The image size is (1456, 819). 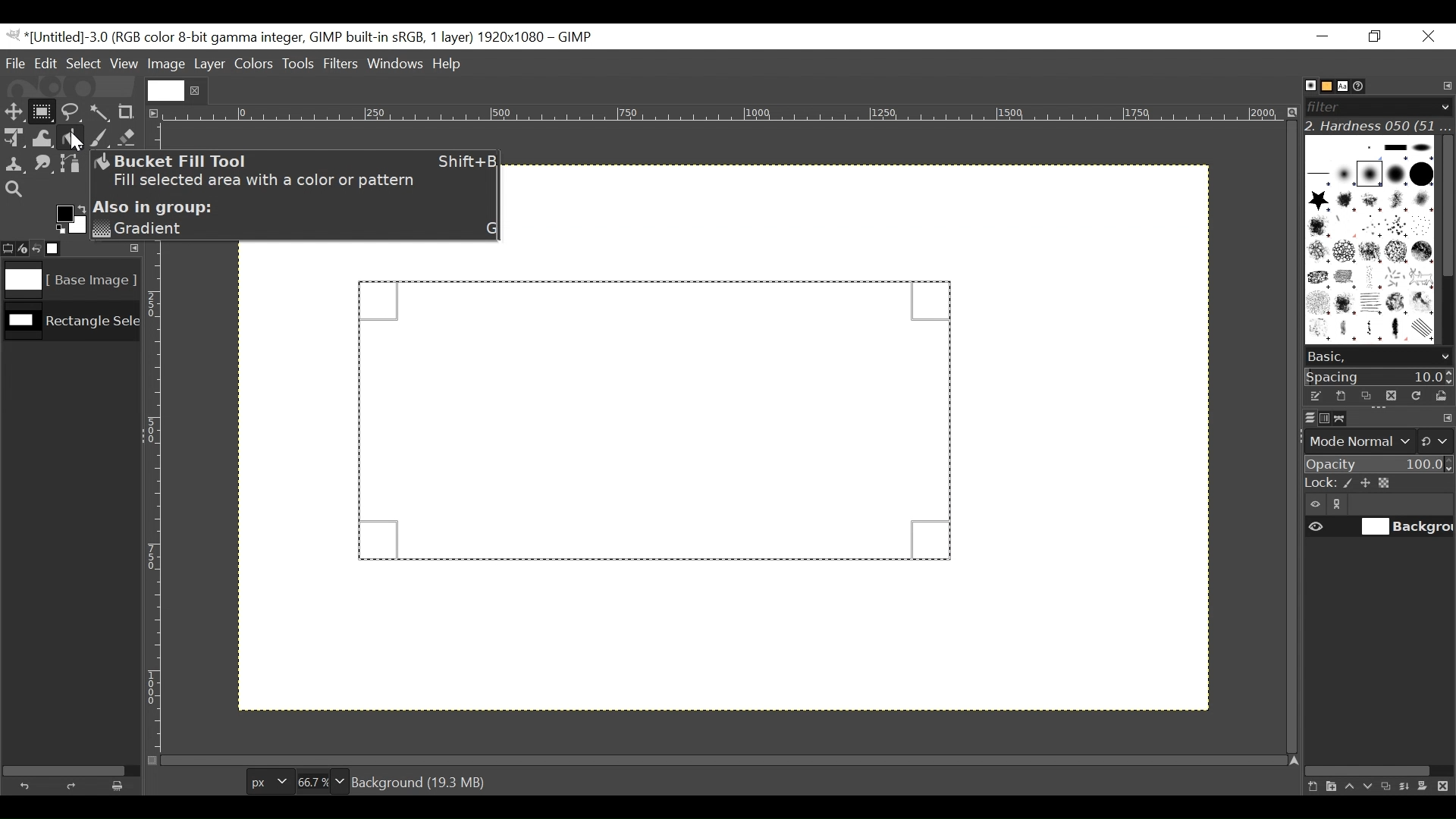 I want to click on Paths, so click(x=1344, y=419).